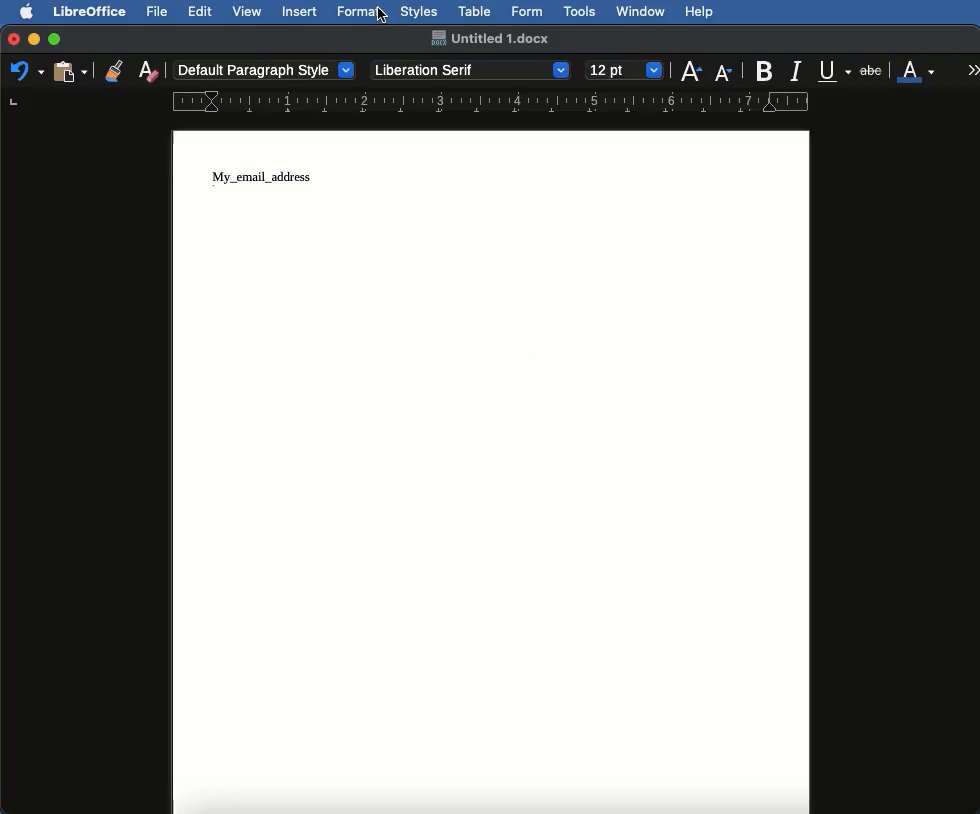  I want to click on Format, so click(360, 12).